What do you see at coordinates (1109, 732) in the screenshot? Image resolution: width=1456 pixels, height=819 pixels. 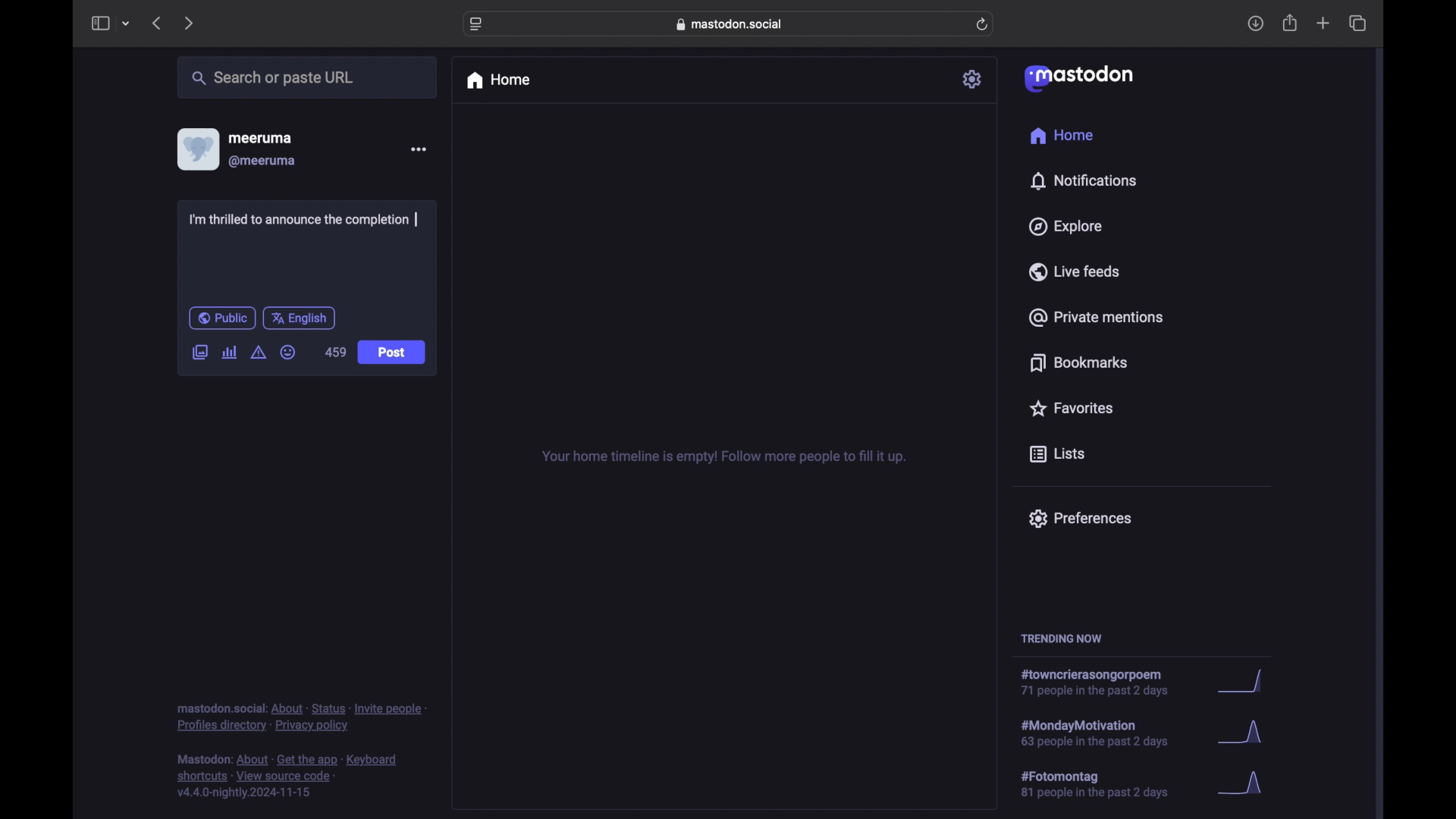 I see `hashtag  trend` at bounding box center [1109, 732].